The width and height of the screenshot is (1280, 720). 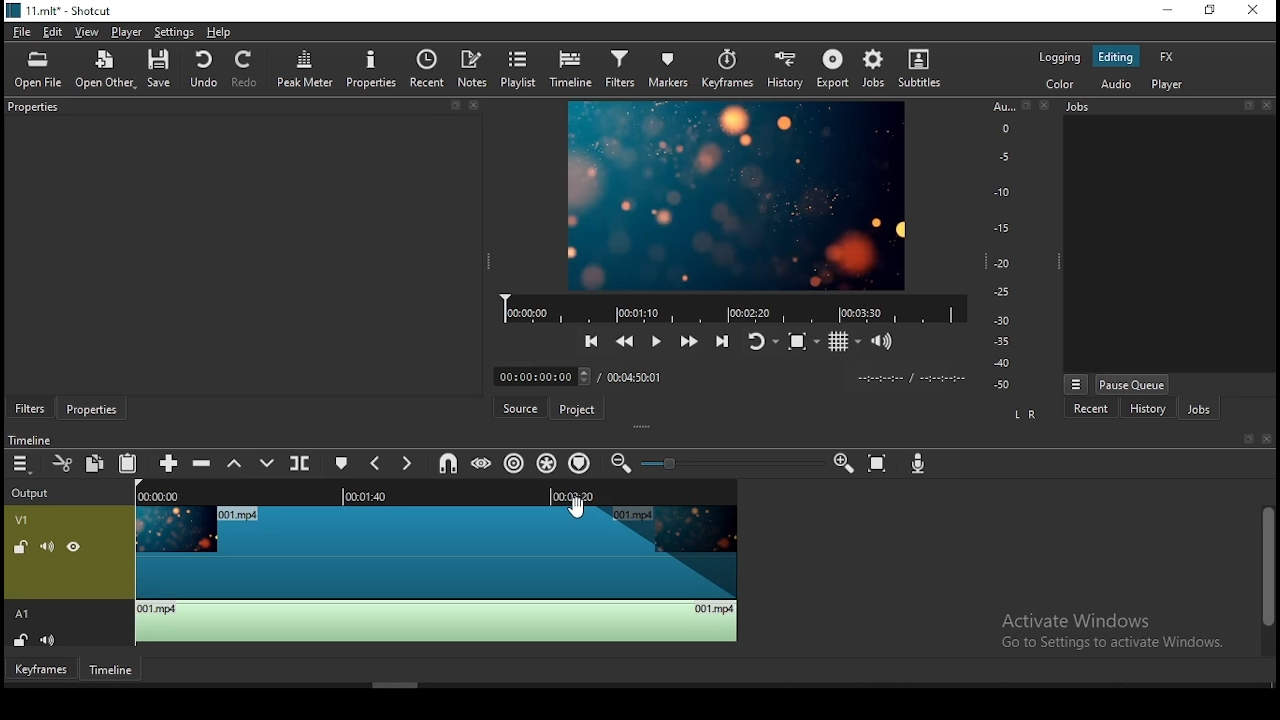 I want to click on video track, so click(x=377, y=563).